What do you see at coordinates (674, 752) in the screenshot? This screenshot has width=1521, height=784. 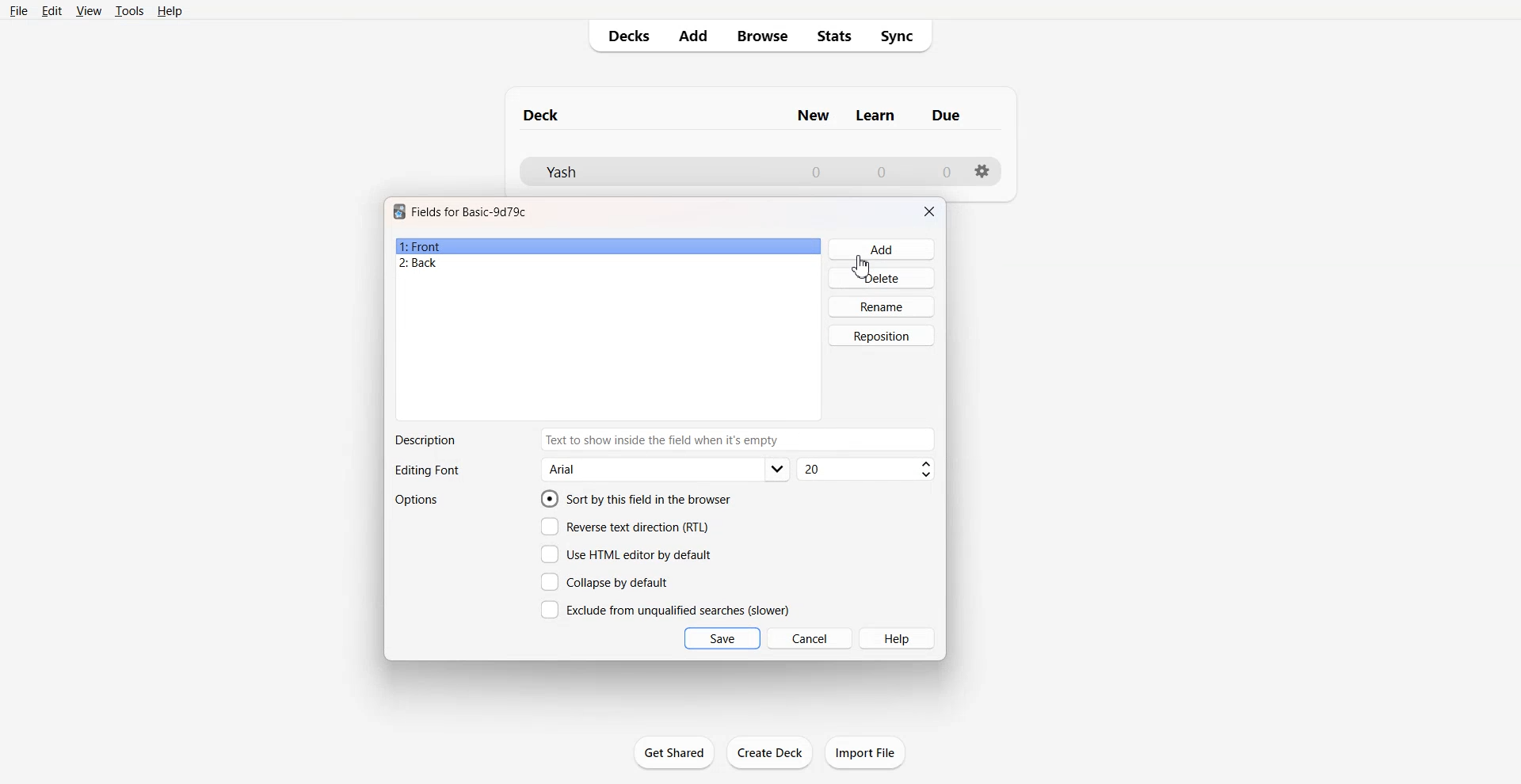 I see `Get Shared` at bounding box center [674, 752].